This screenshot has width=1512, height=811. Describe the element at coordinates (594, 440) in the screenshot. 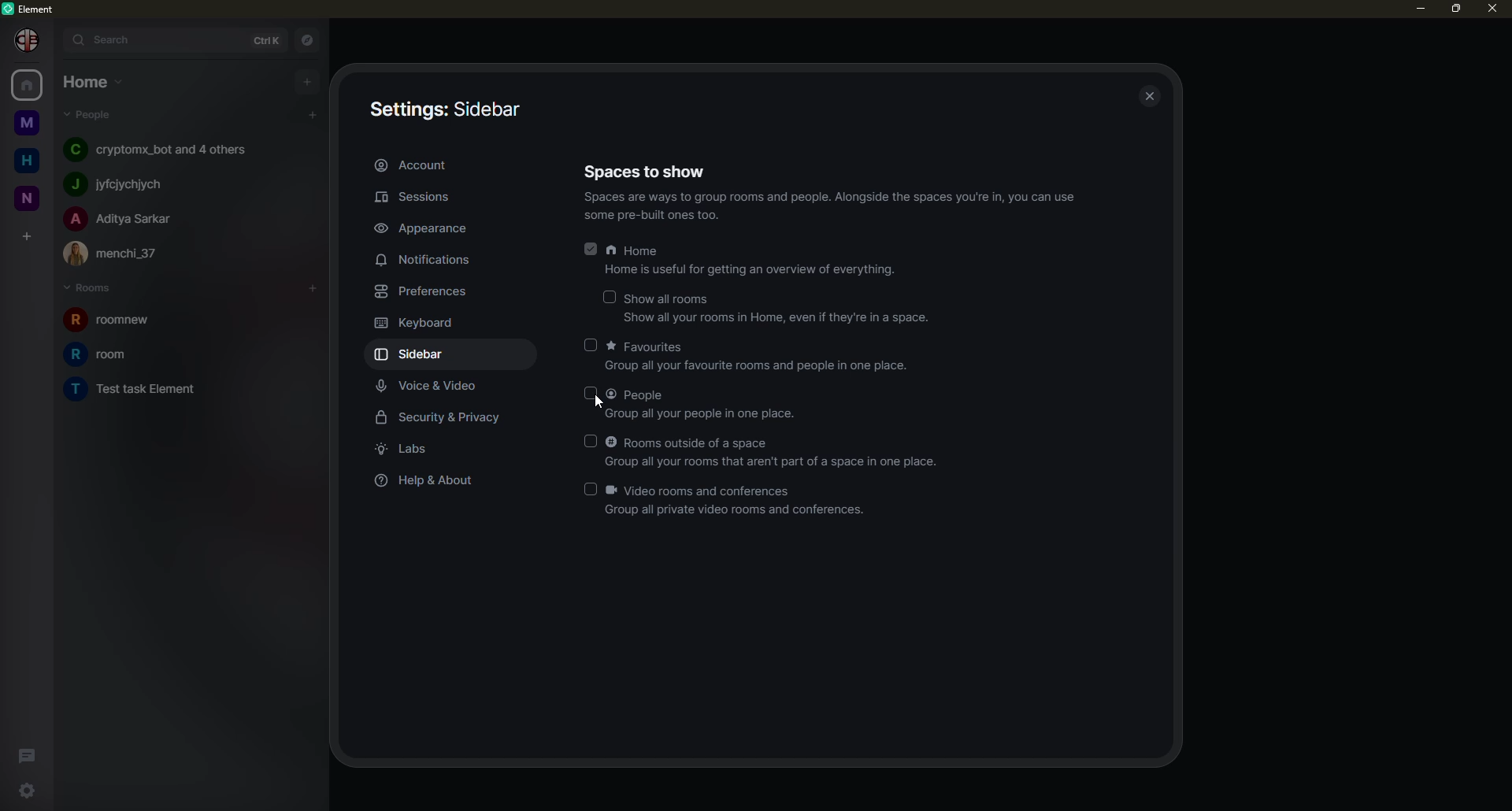

I see `click to enable` at that location.